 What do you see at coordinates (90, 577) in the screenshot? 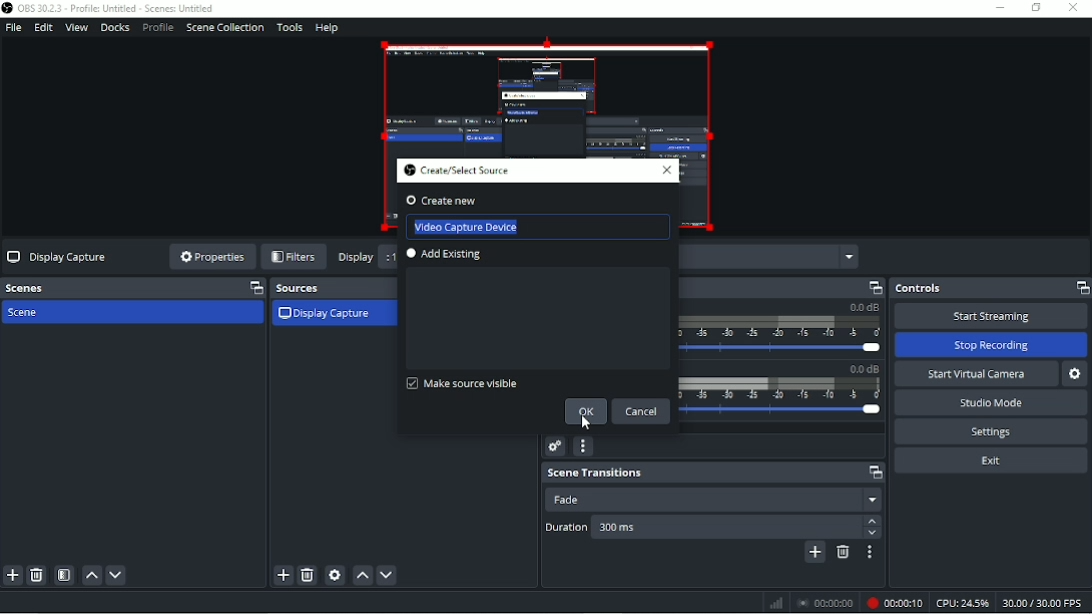
I see `Move scene up` at bounding box center [90, 577].